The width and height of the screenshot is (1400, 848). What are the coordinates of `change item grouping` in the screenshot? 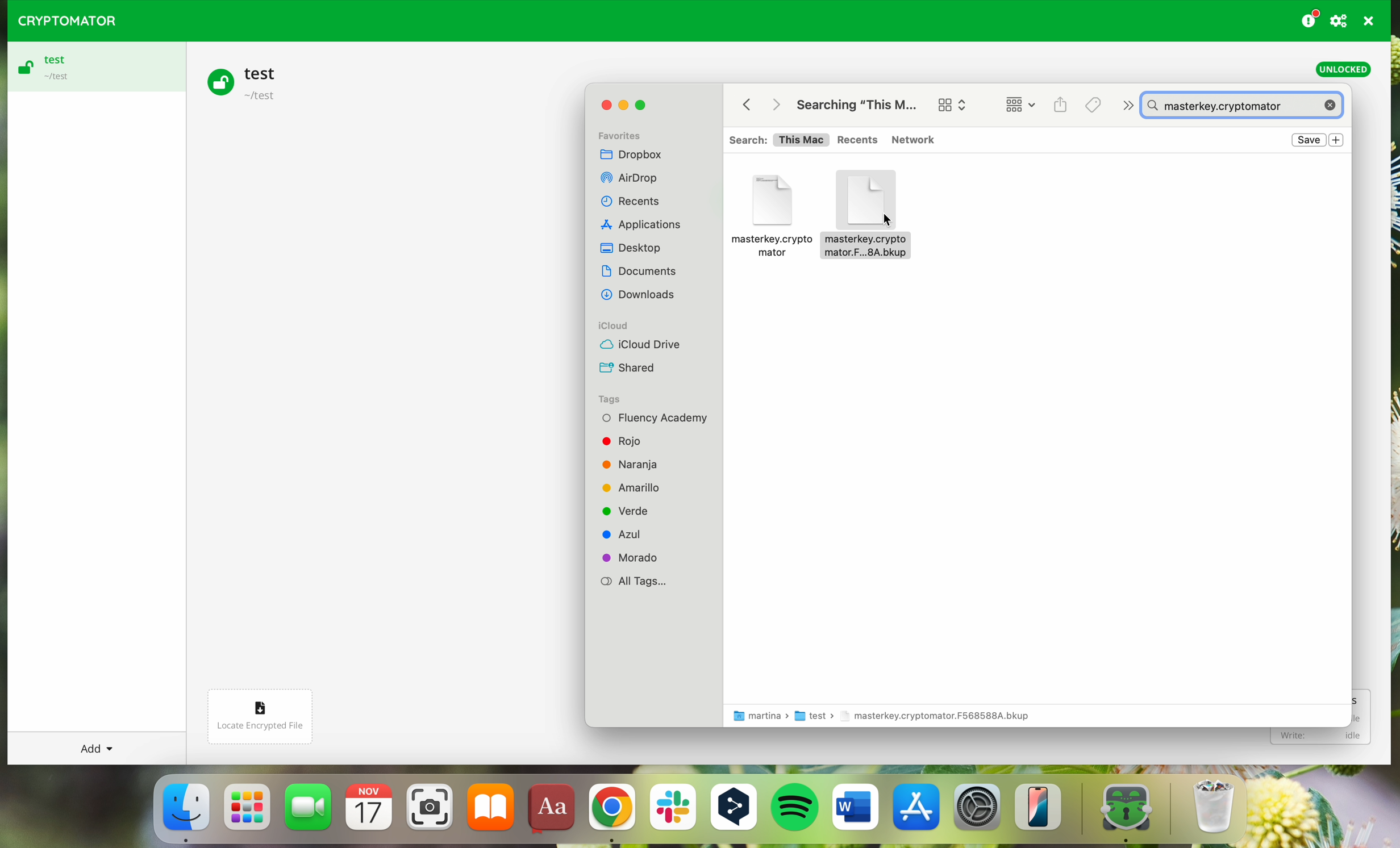 It's located at (1024, 106).